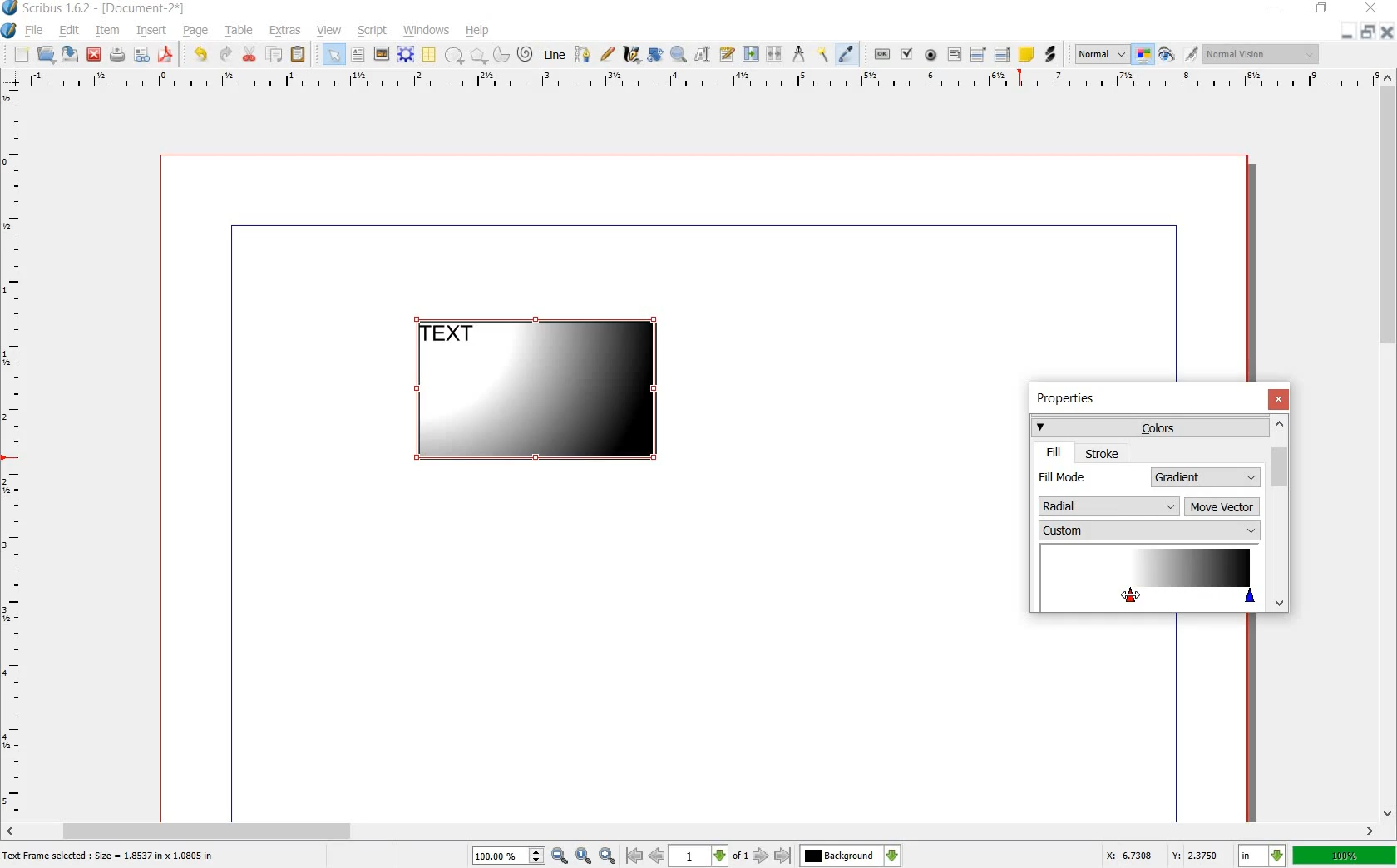 Image resolution: width=1397 pixels, height=868 pixels. Describe the element at coordinates (380, 54) in the screenshot. I see `image frame` at that location.